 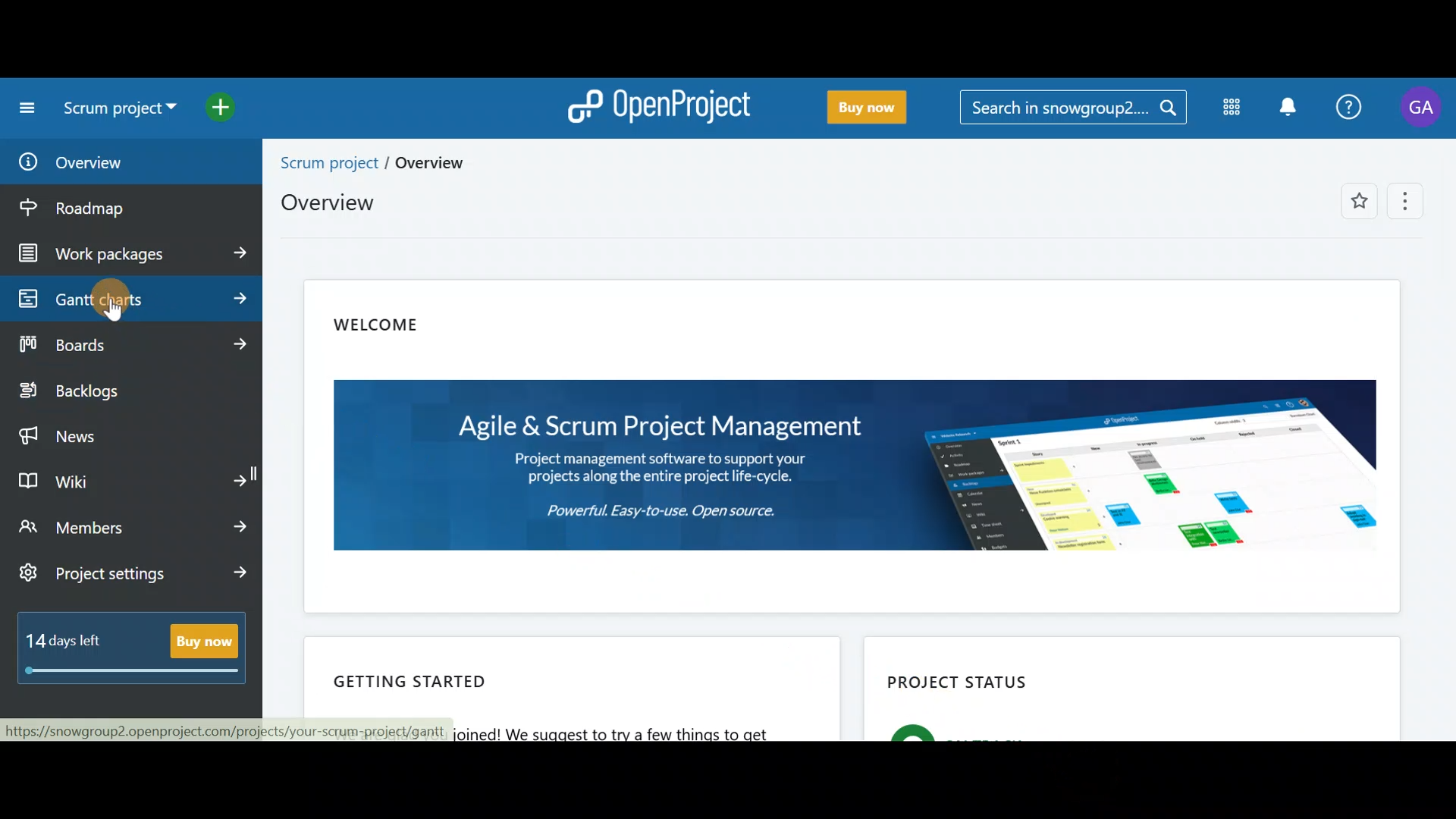 I want to click on Backlogs, so click(x=130, y=390).